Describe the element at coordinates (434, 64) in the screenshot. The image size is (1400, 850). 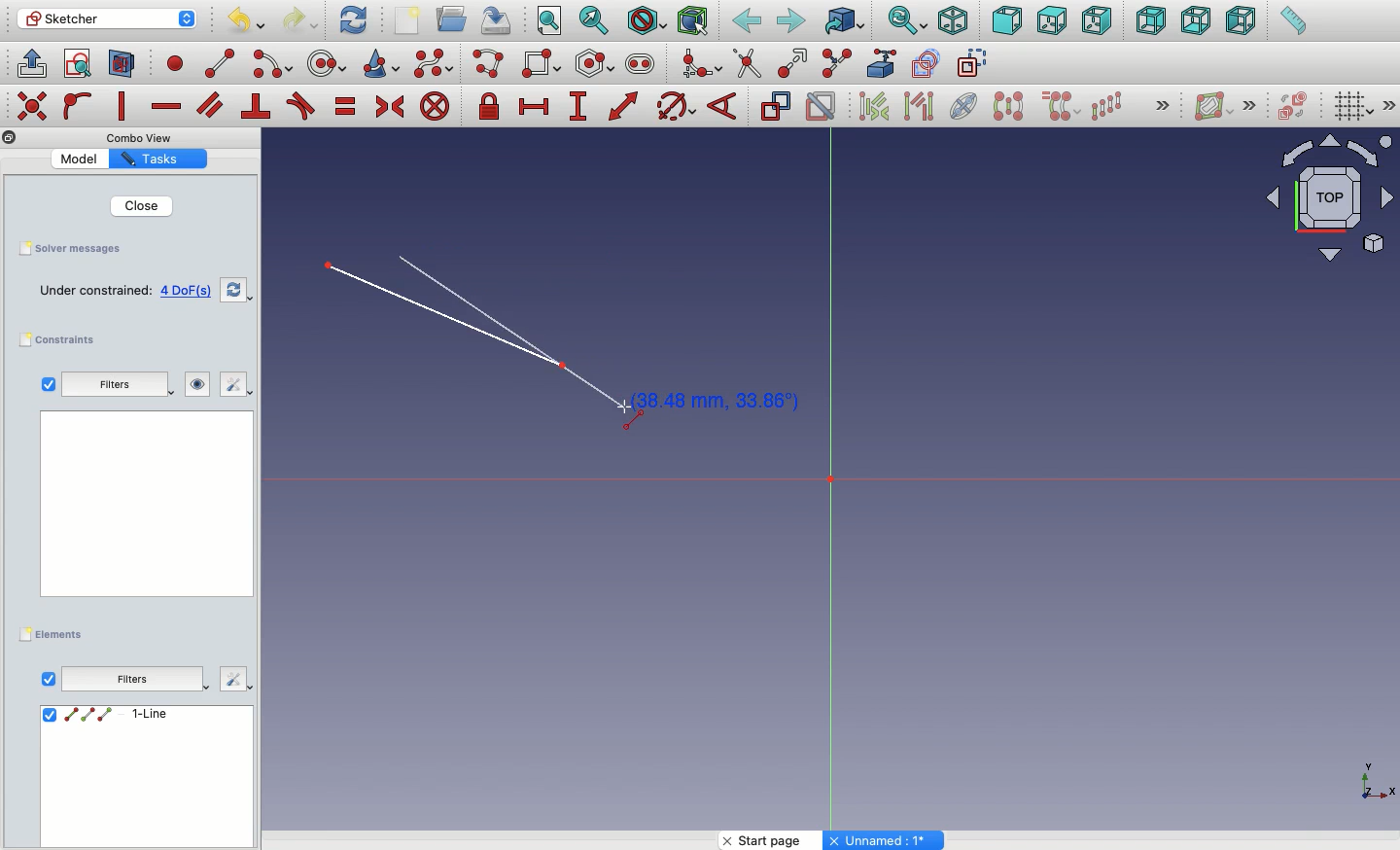
I see `B-spline` at that location.